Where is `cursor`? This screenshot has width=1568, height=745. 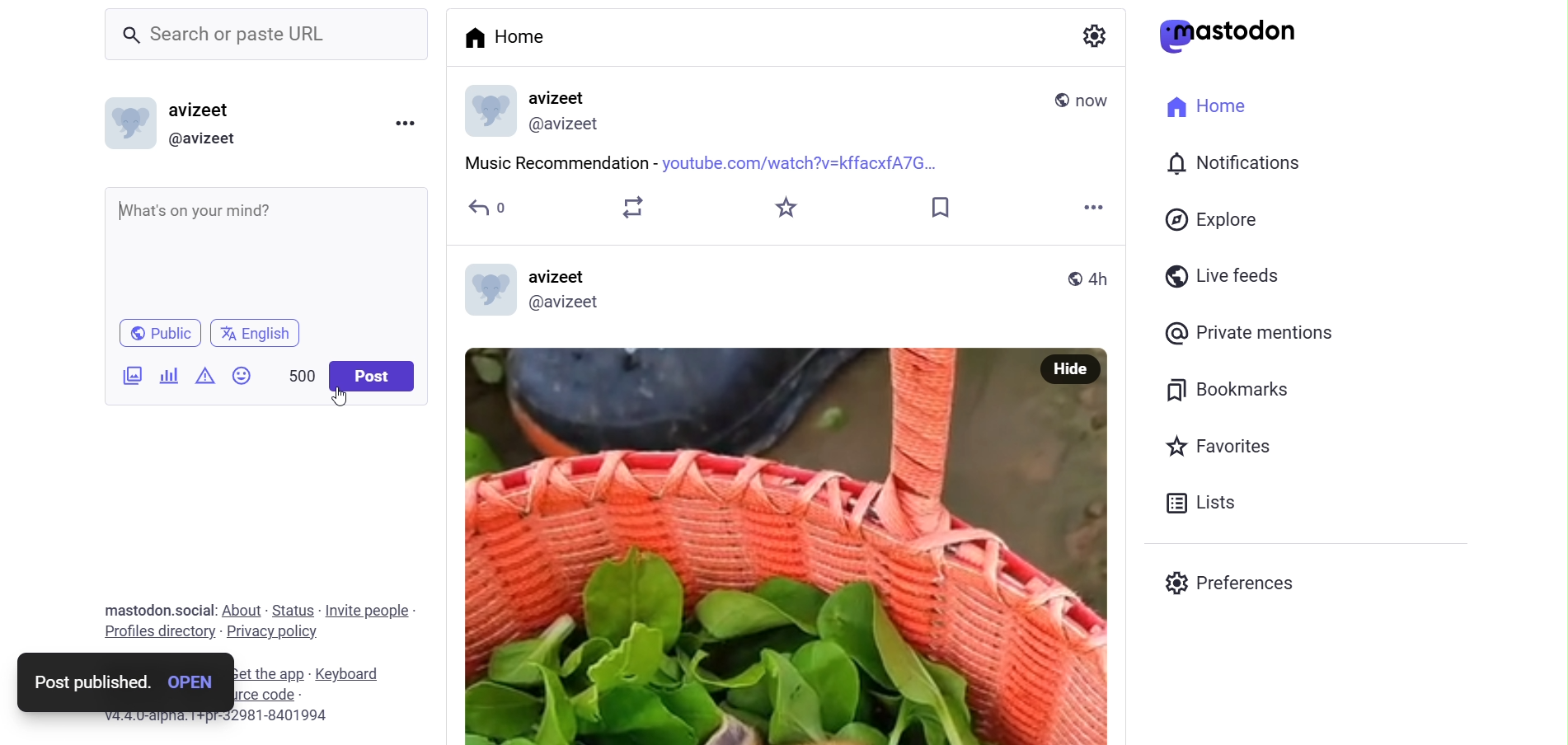 cursor is located at coordinates (340, 396).